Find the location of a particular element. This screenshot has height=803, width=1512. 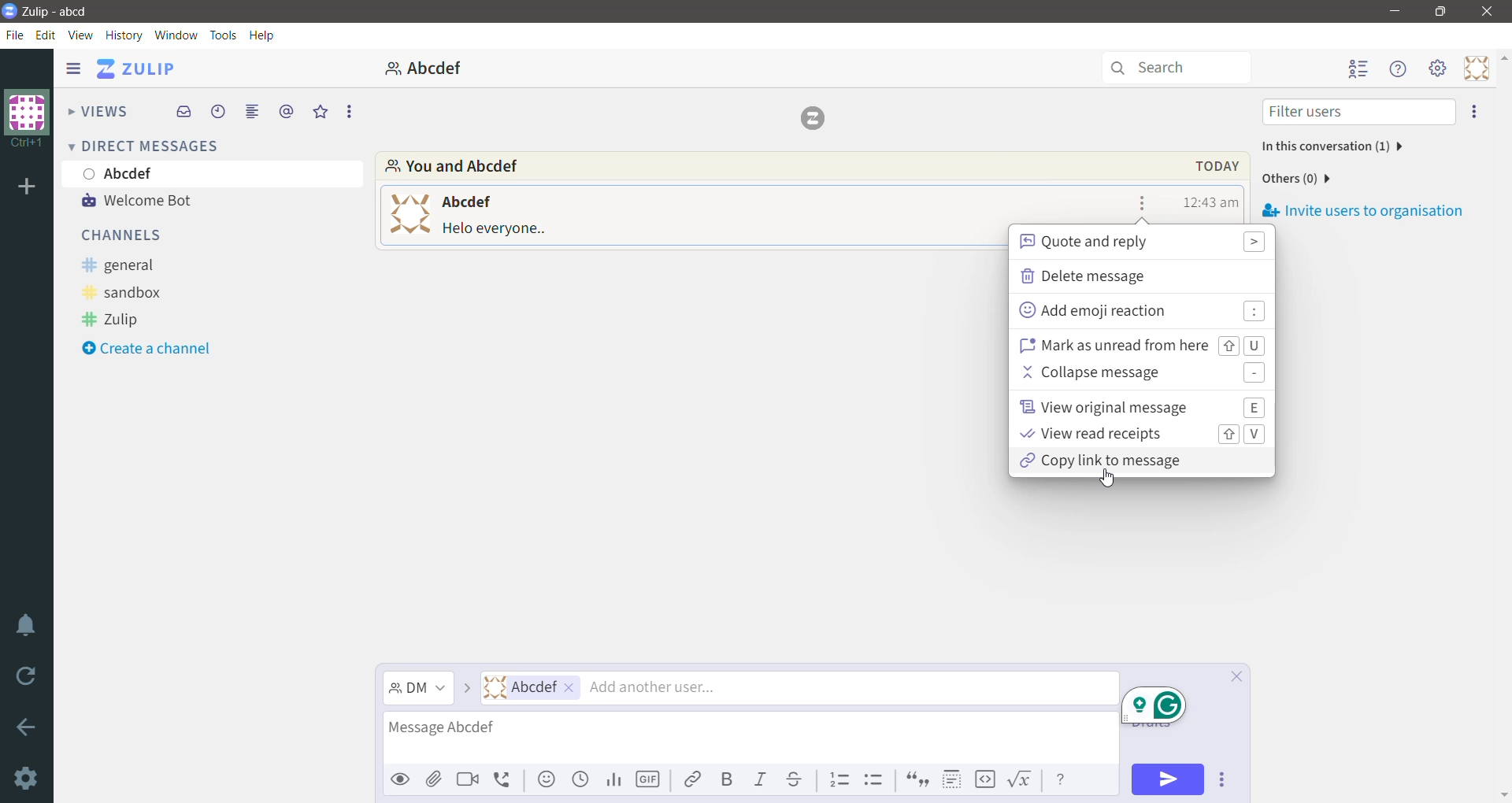

Copy link to message is located at coordinates (1142, 460).